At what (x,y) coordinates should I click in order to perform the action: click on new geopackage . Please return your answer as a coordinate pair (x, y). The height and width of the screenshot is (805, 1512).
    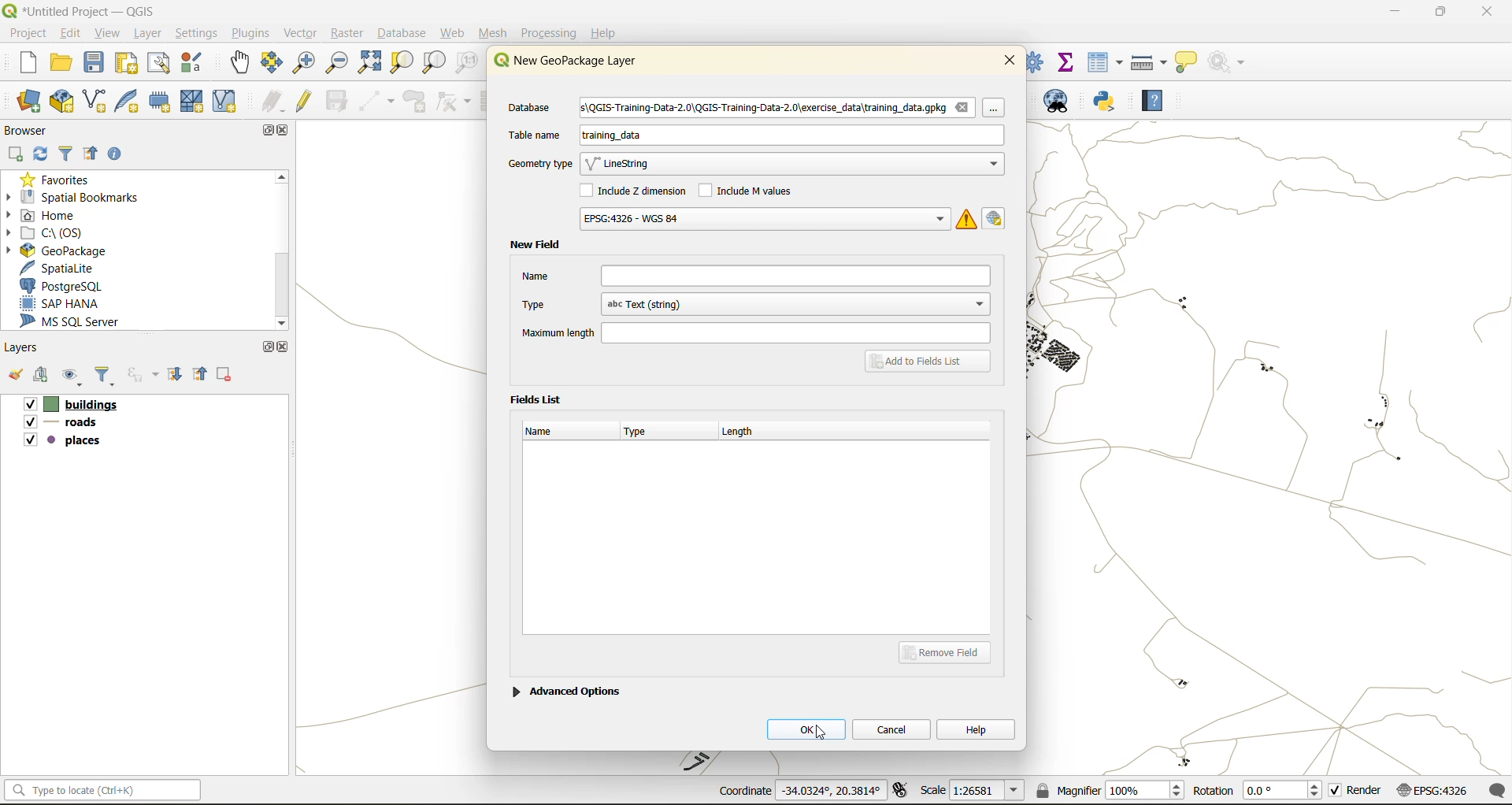
    Looking at the image, I should click on (62, 102).